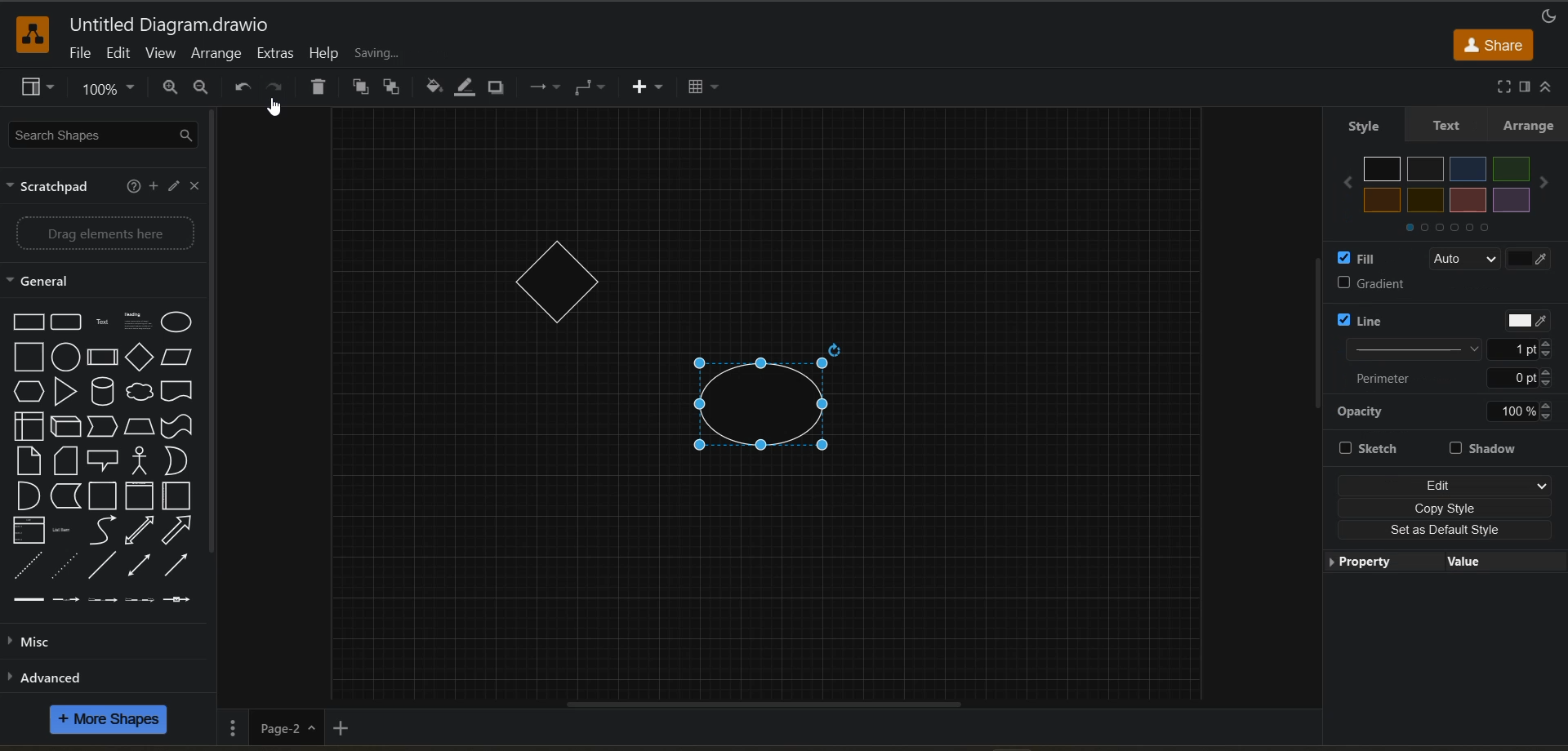 This screenshot has height=751, width=1568. Describe the element at coordinates (1445, 482) in the screenshot. I see `edit` at that location.